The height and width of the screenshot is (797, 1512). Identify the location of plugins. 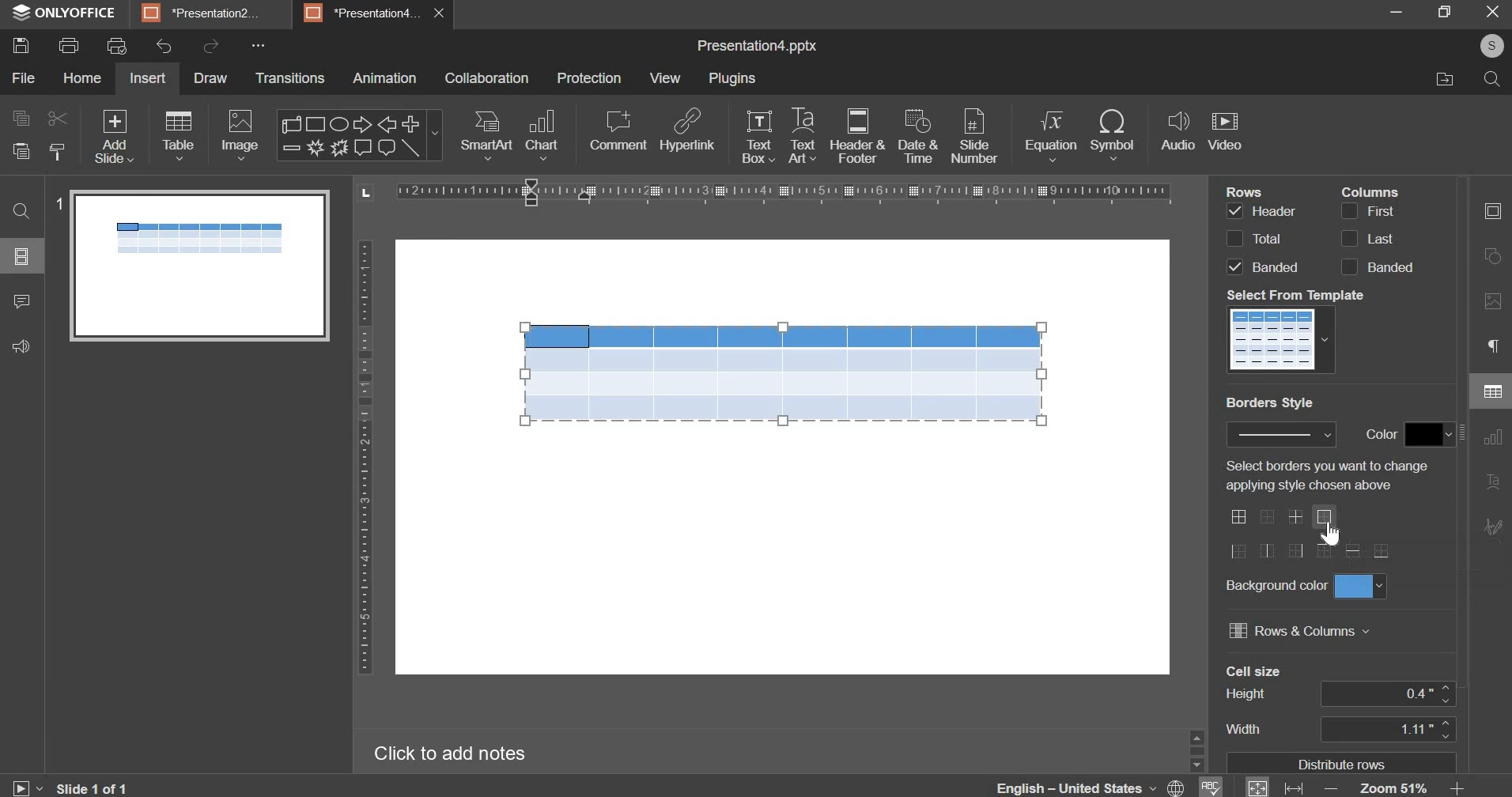
(731, 78).